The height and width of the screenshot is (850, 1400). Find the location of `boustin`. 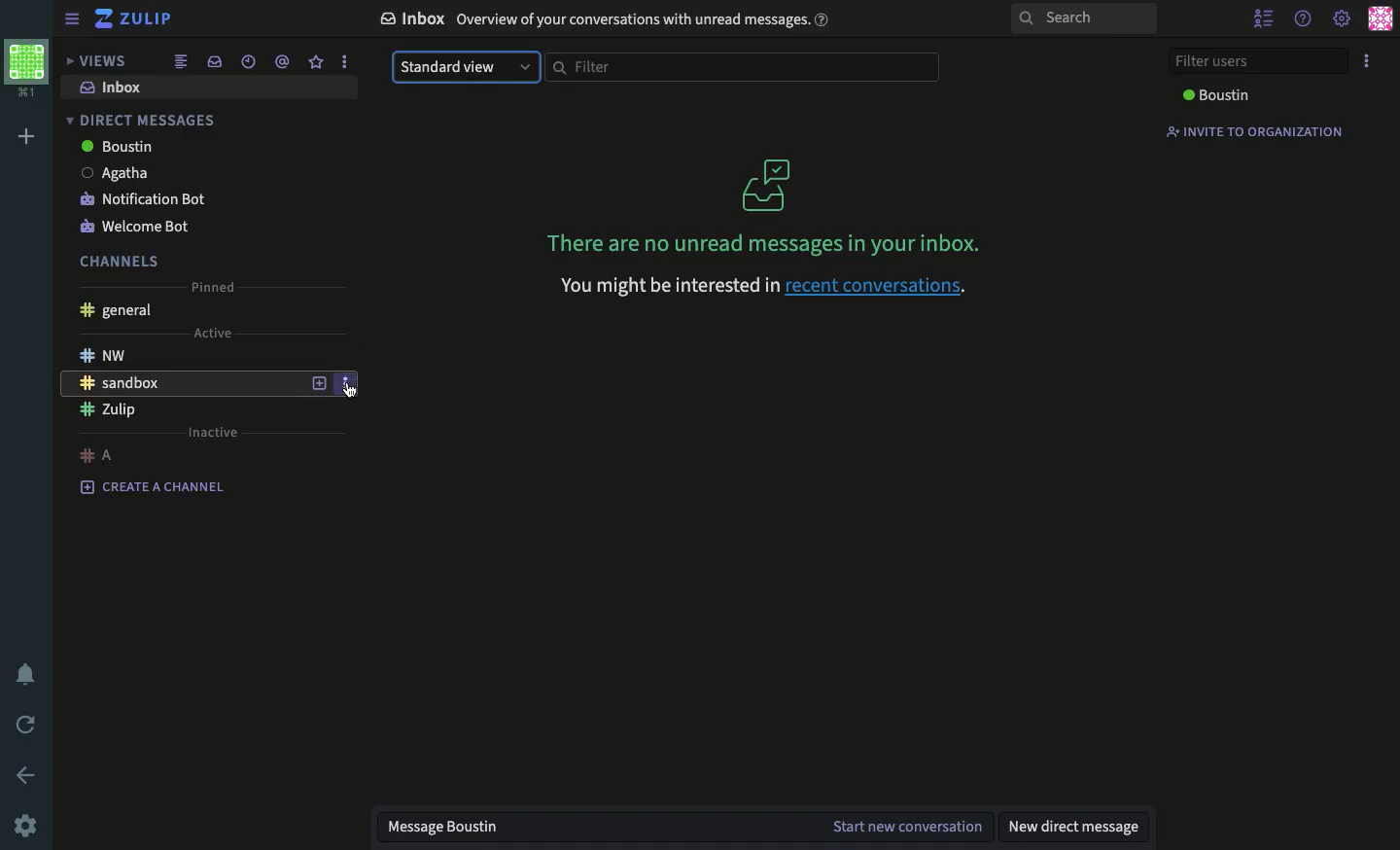

boustin is located at coordinates (1213, 96).